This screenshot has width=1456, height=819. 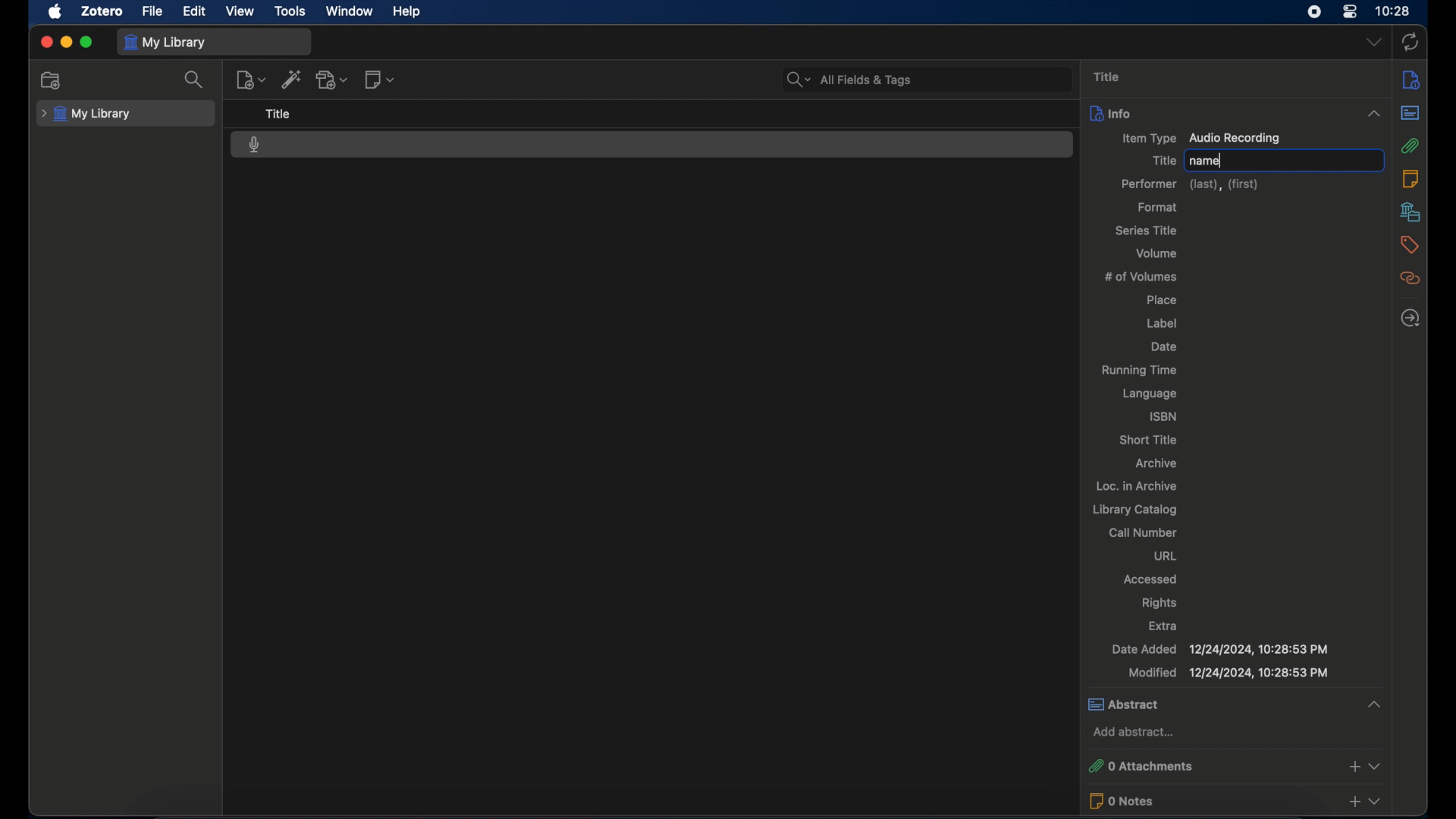 I want to click on label, so click(x=1164, y=323).